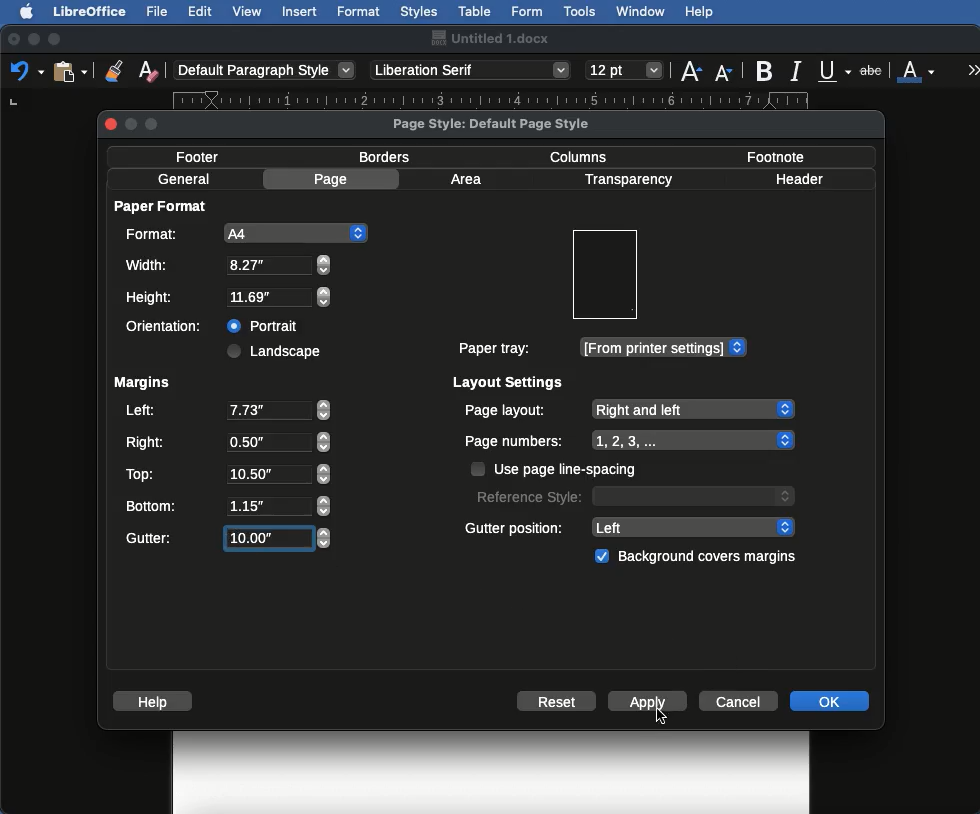 The image size is (980, 814). What do you see at coordinates (557, 703) in the screenshot?
I see `Reset` at bounding box center [557, 703].